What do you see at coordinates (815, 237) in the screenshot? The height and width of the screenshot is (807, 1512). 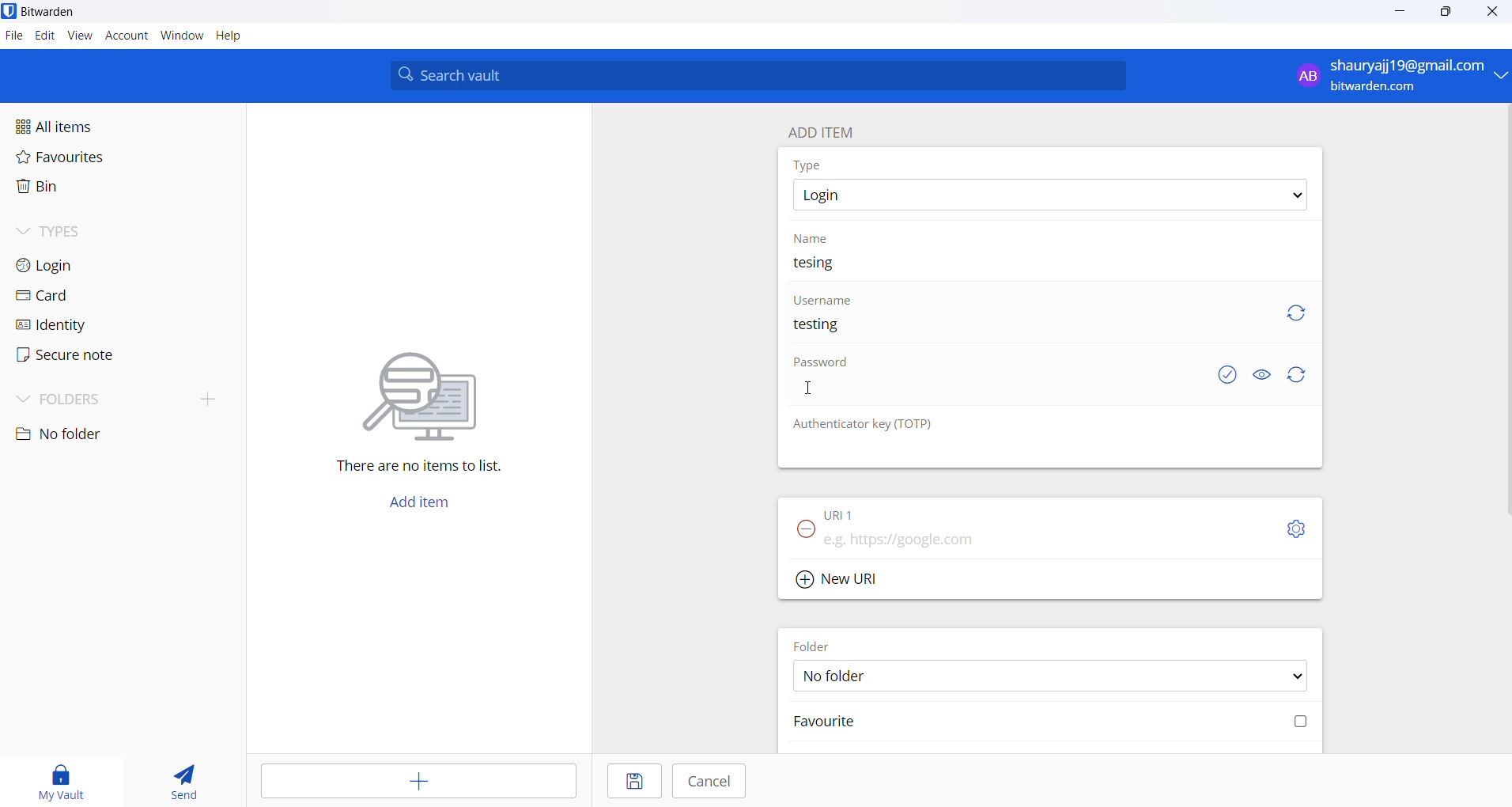 I see `Name` at bounding box center [815, 237].